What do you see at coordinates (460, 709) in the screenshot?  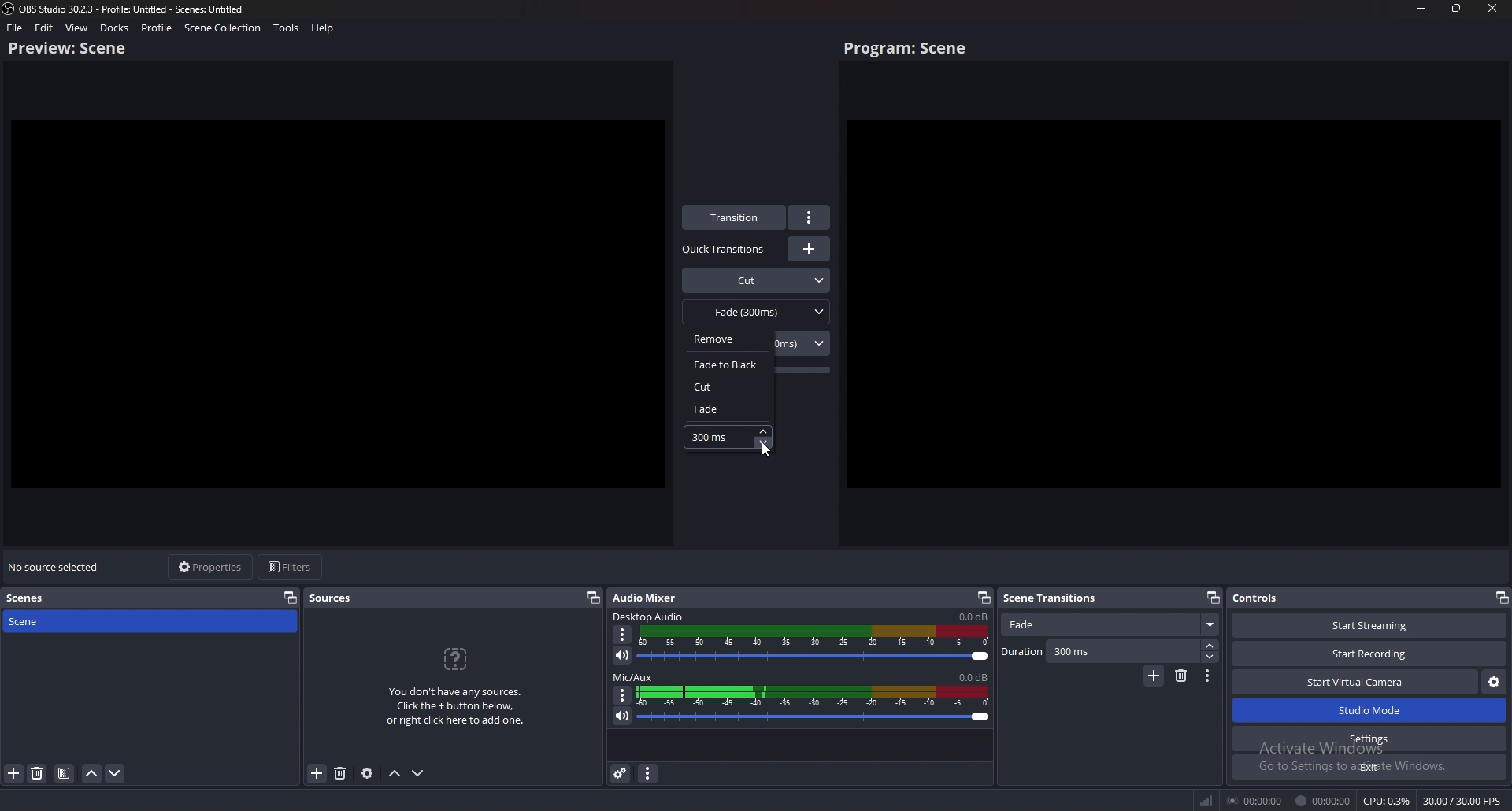 I see `You don't have any sources.
Click the + button below,
or right click here to add one.` at bounding box center [460, 709].